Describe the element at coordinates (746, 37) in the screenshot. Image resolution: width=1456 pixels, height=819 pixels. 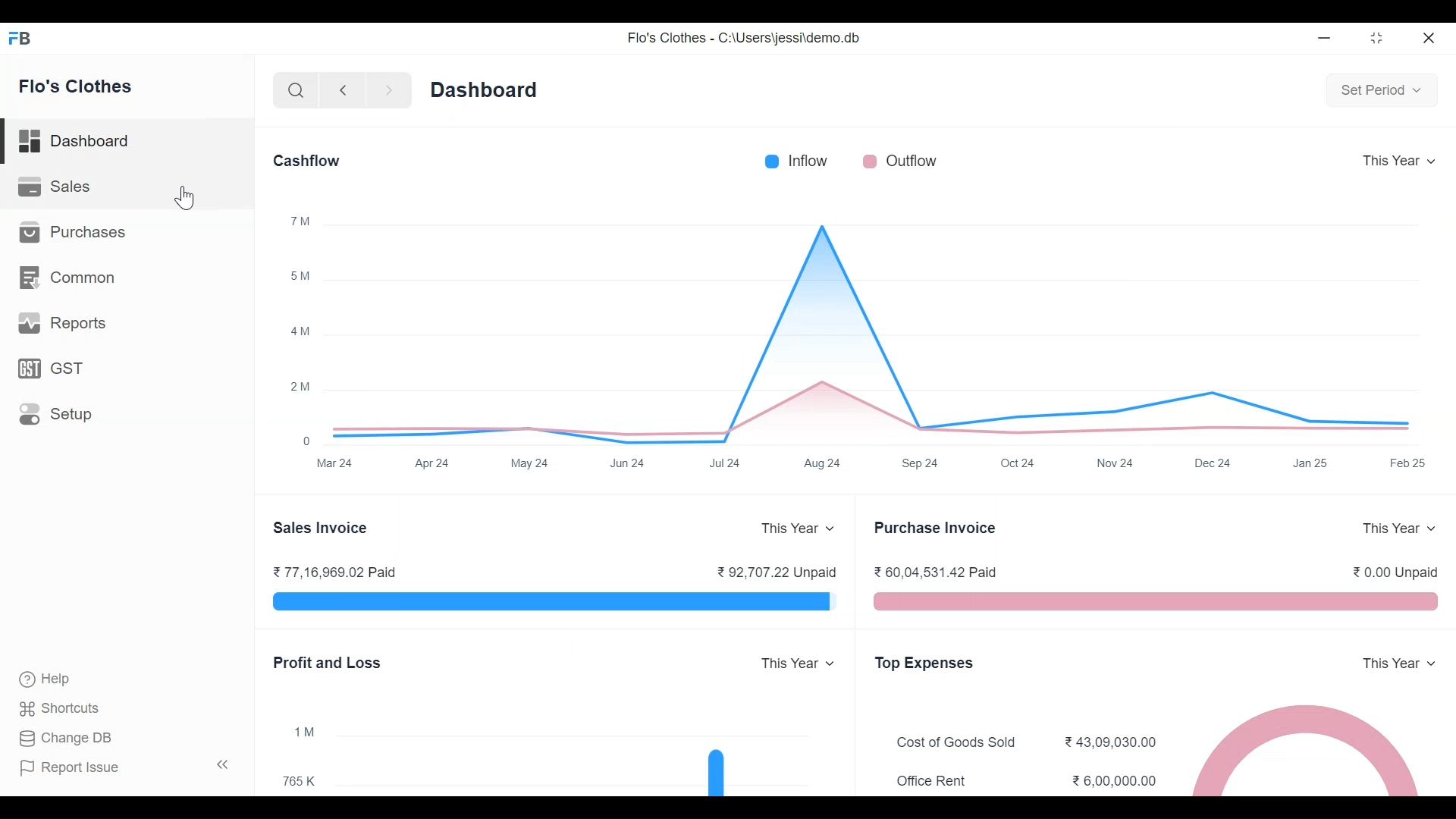
I see `Flo's Clothes - C:\Users\jessi\demo.db` at that location.